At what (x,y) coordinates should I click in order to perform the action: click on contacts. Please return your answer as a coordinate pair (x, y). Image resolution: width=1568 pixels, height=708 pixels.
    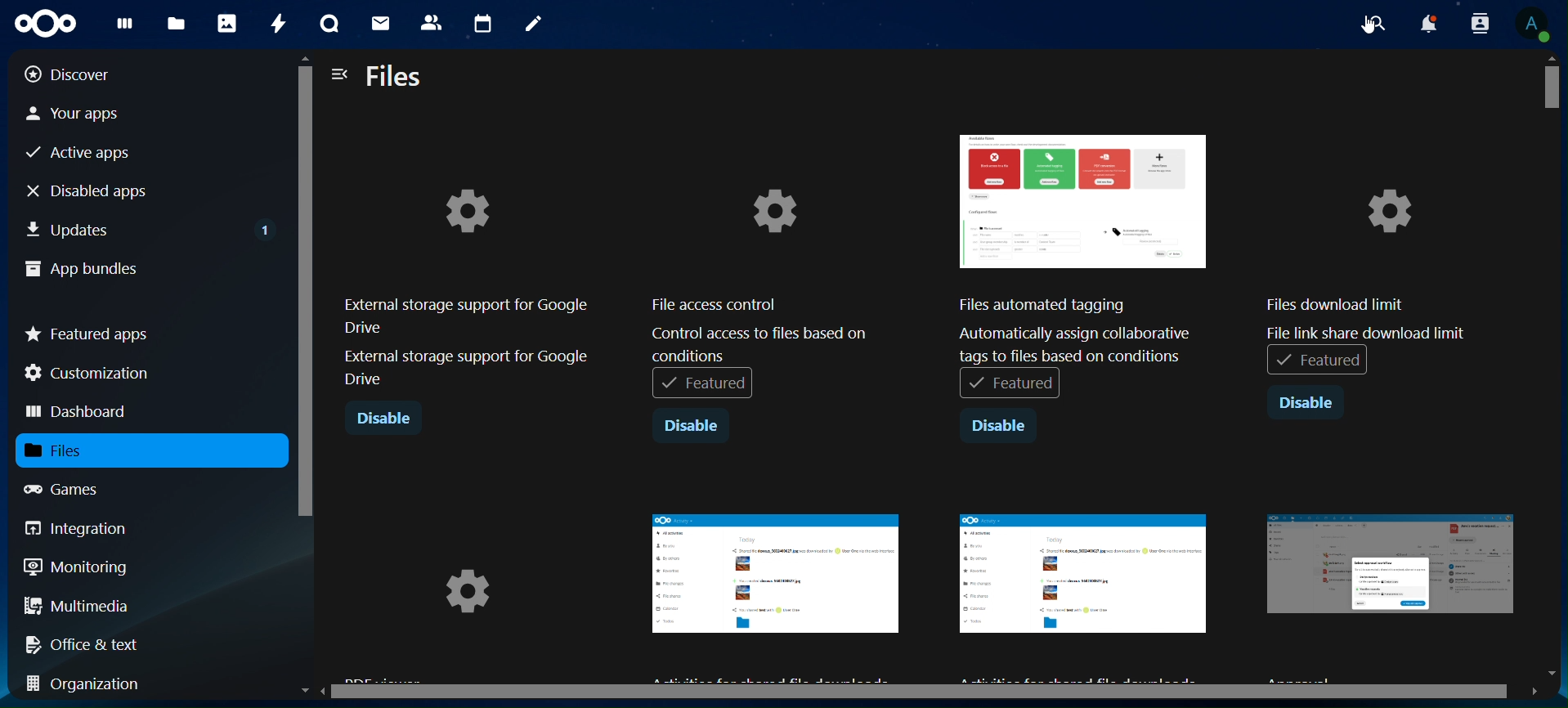
    Looking at the image, I should click on (431, 21).